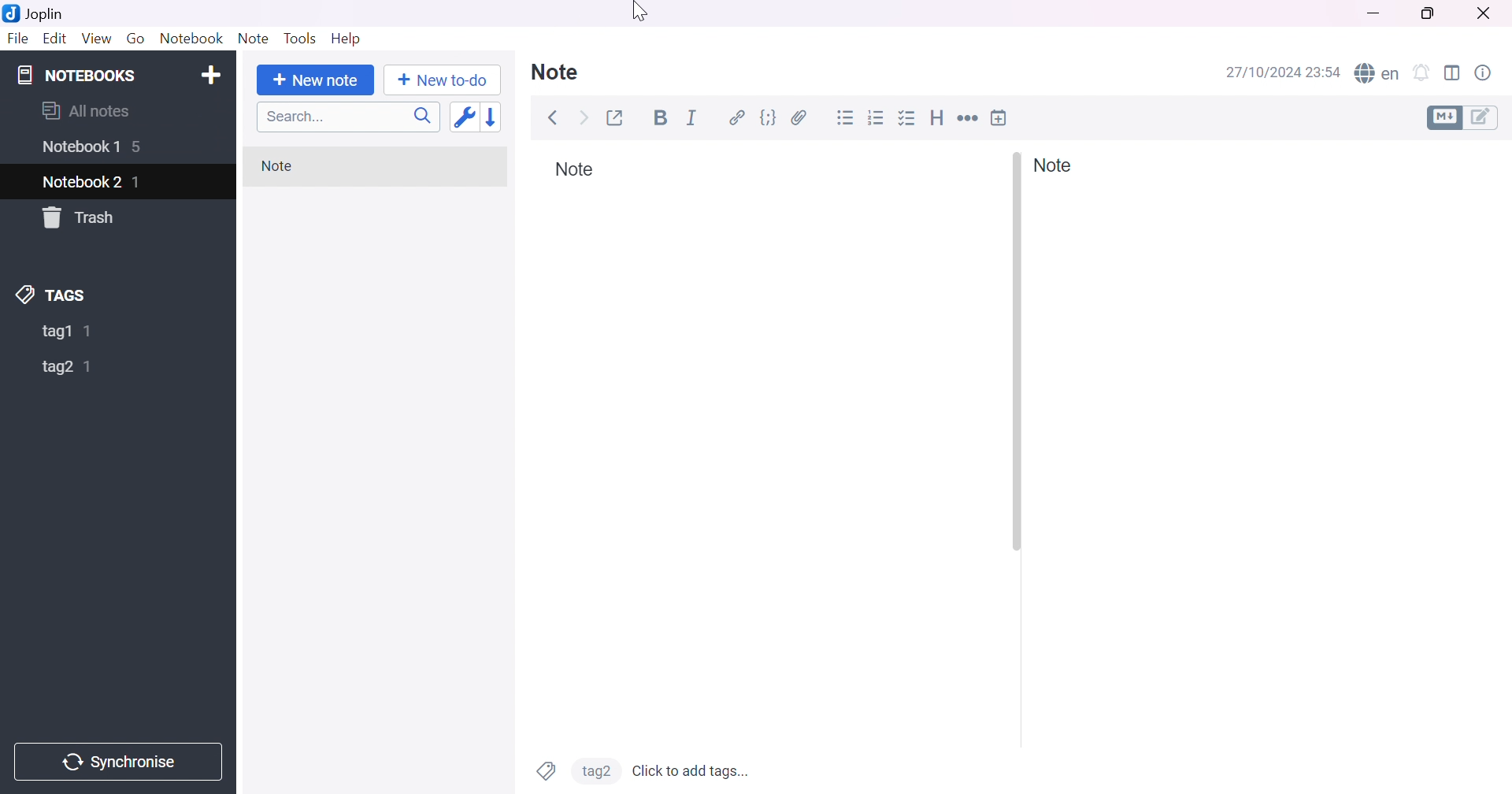 Image resolution: width=1512 pixels, height=794 pixels. Describe the element at coordinates (583, 118) in the screenshot. I see `Forward` at that location.